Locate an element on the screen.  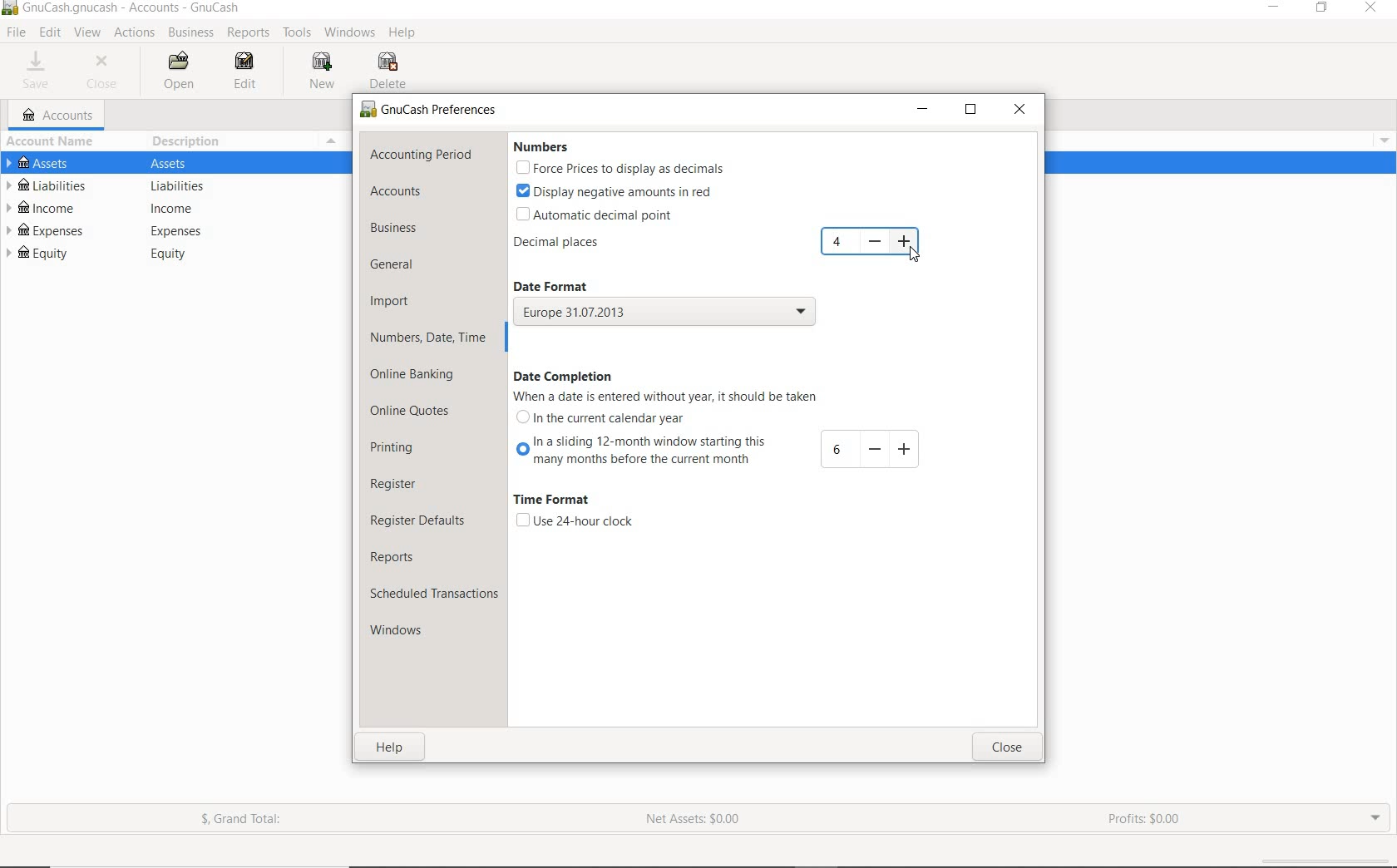
EXPAND is located at coordinates (1375, 817).